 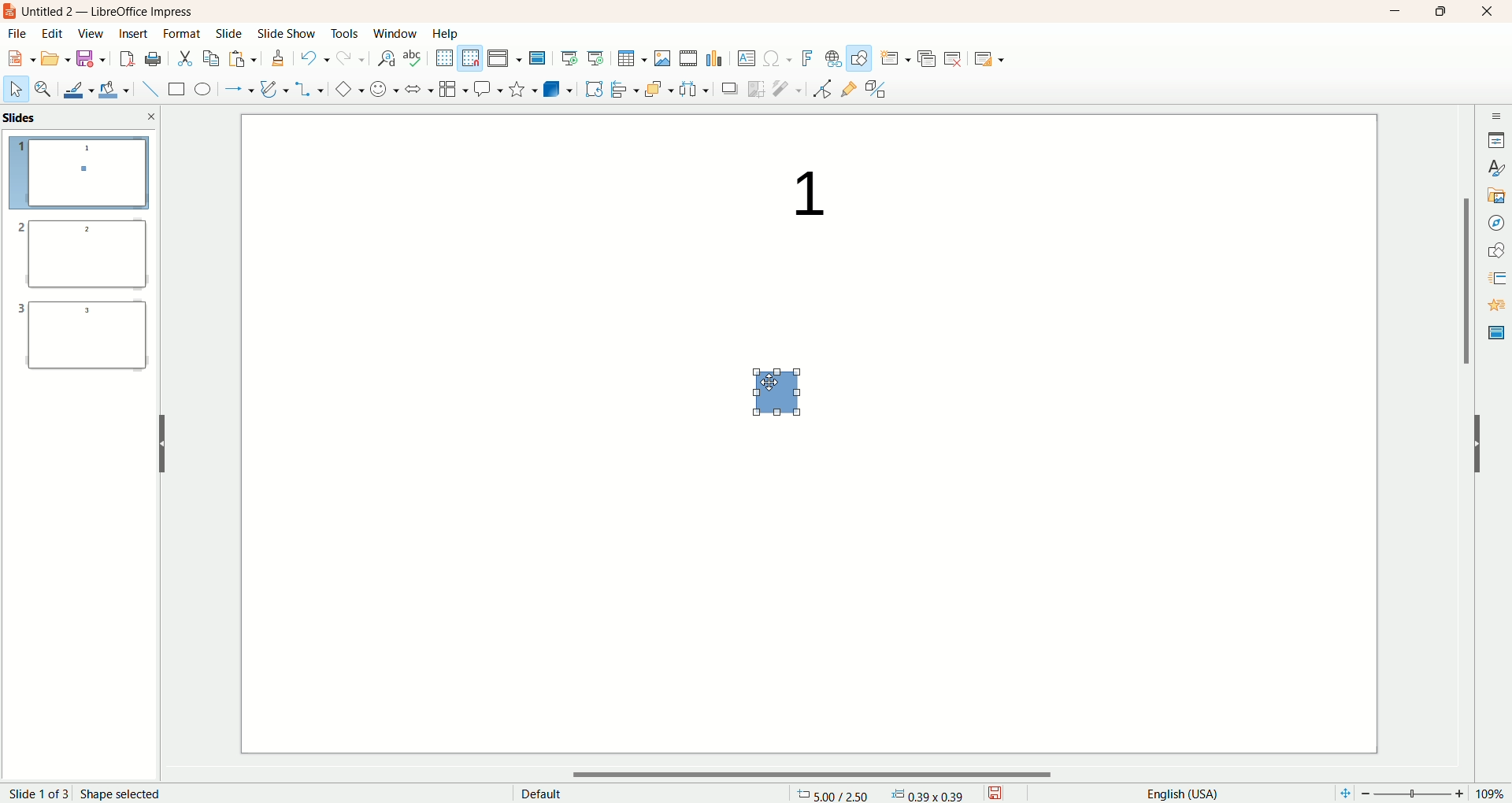 I want to click on master slide, so click(x=1494, y=333).